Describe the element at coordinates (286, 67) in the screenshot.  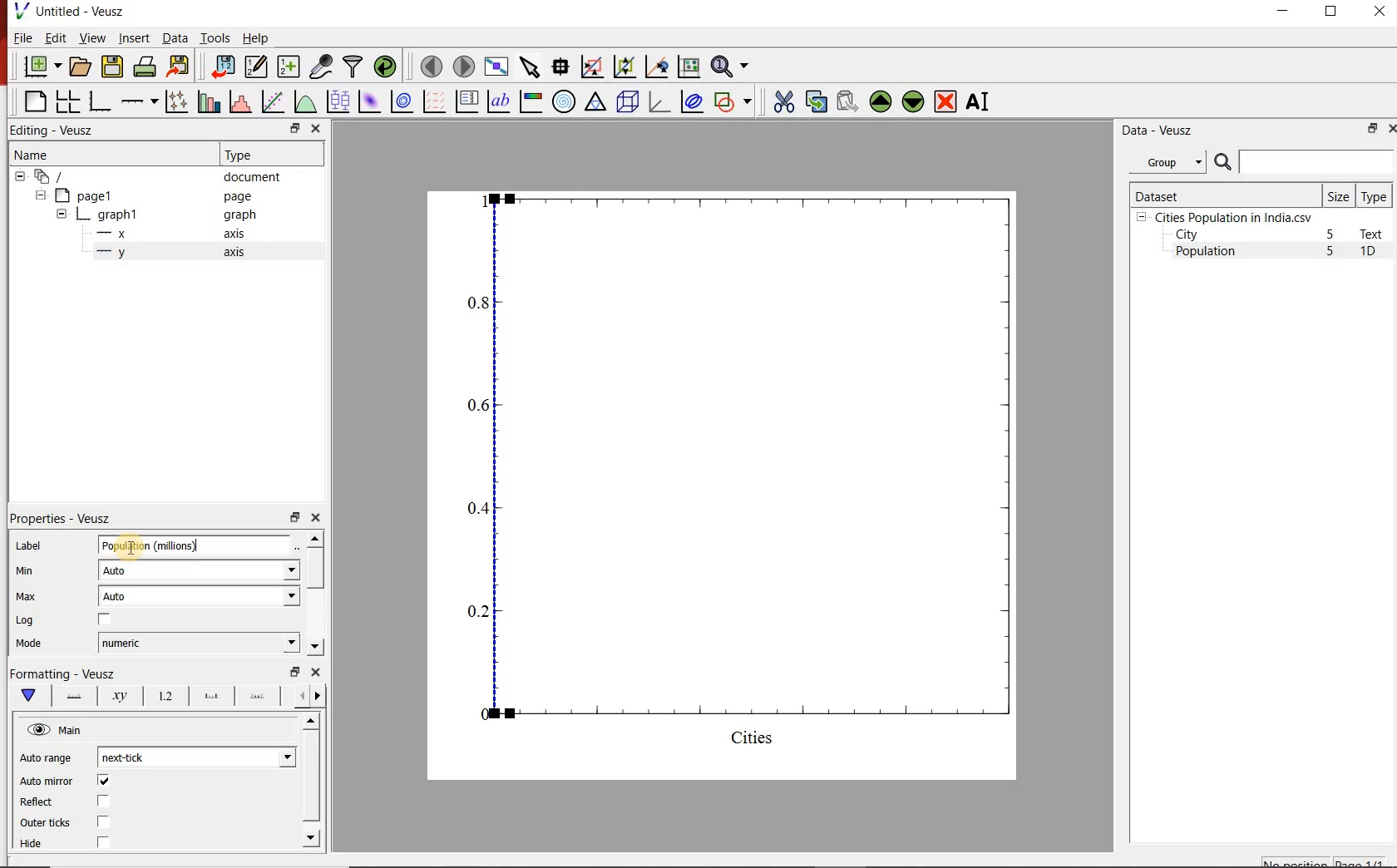
I see `create new datasets using available options` at that location.